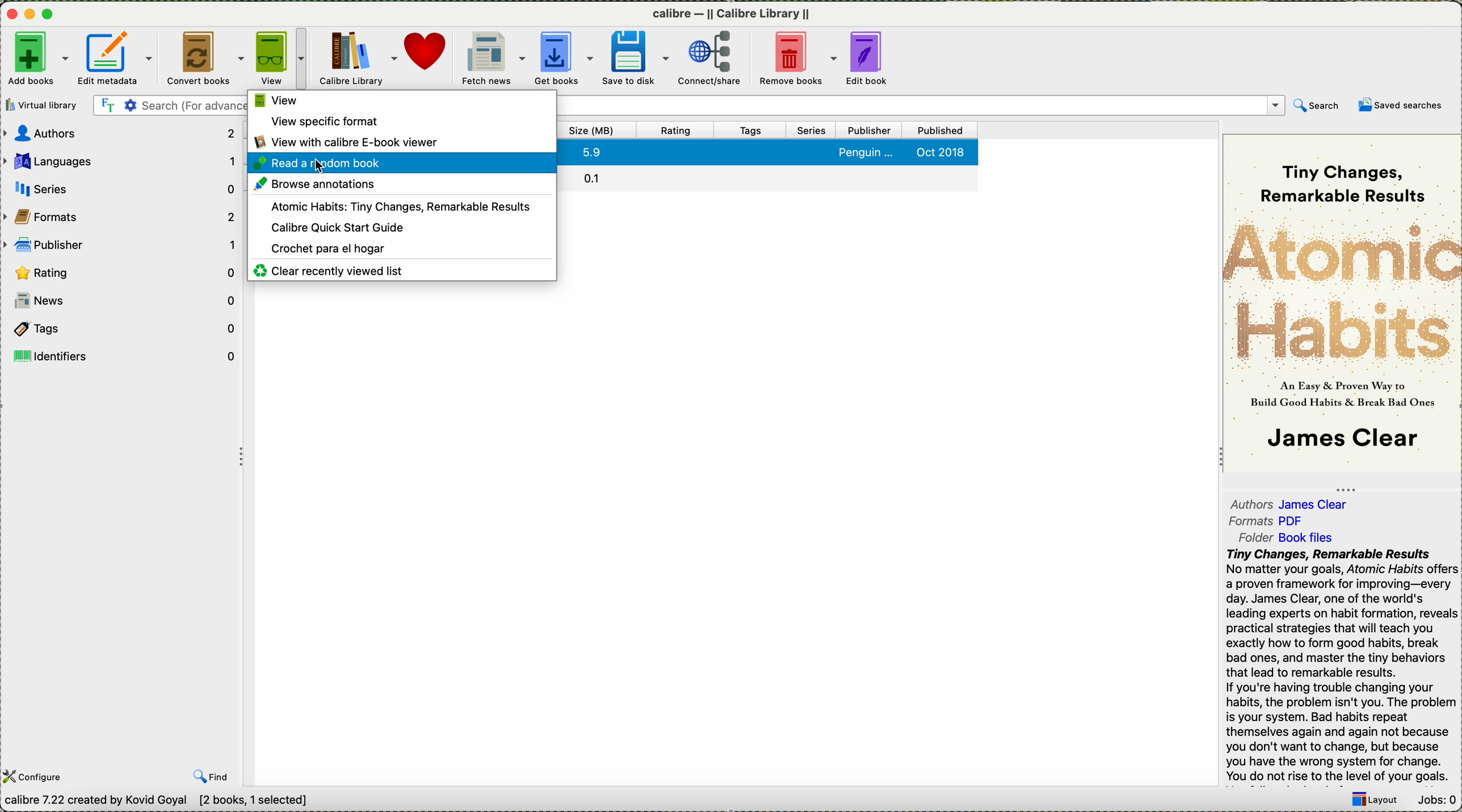 Image resolution: width=1462 pixels, height=812 pixels. Describe the element at coordinates (170, 106) in the screenshot. I see `search bar` at that location.